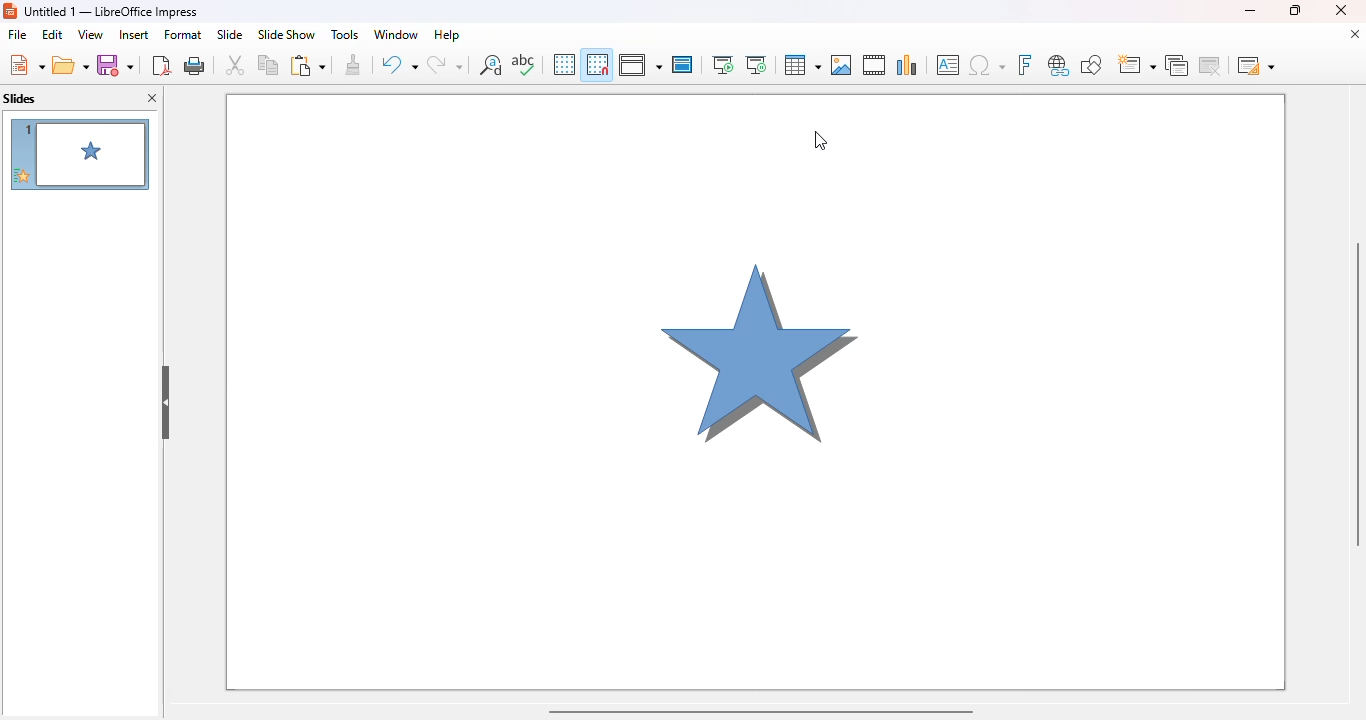 The height and width of the screenshot is (720, 1366). Describe the element at coordinates (760, 711) in the screenshot. I see `horizontal scroll bar` at that location.